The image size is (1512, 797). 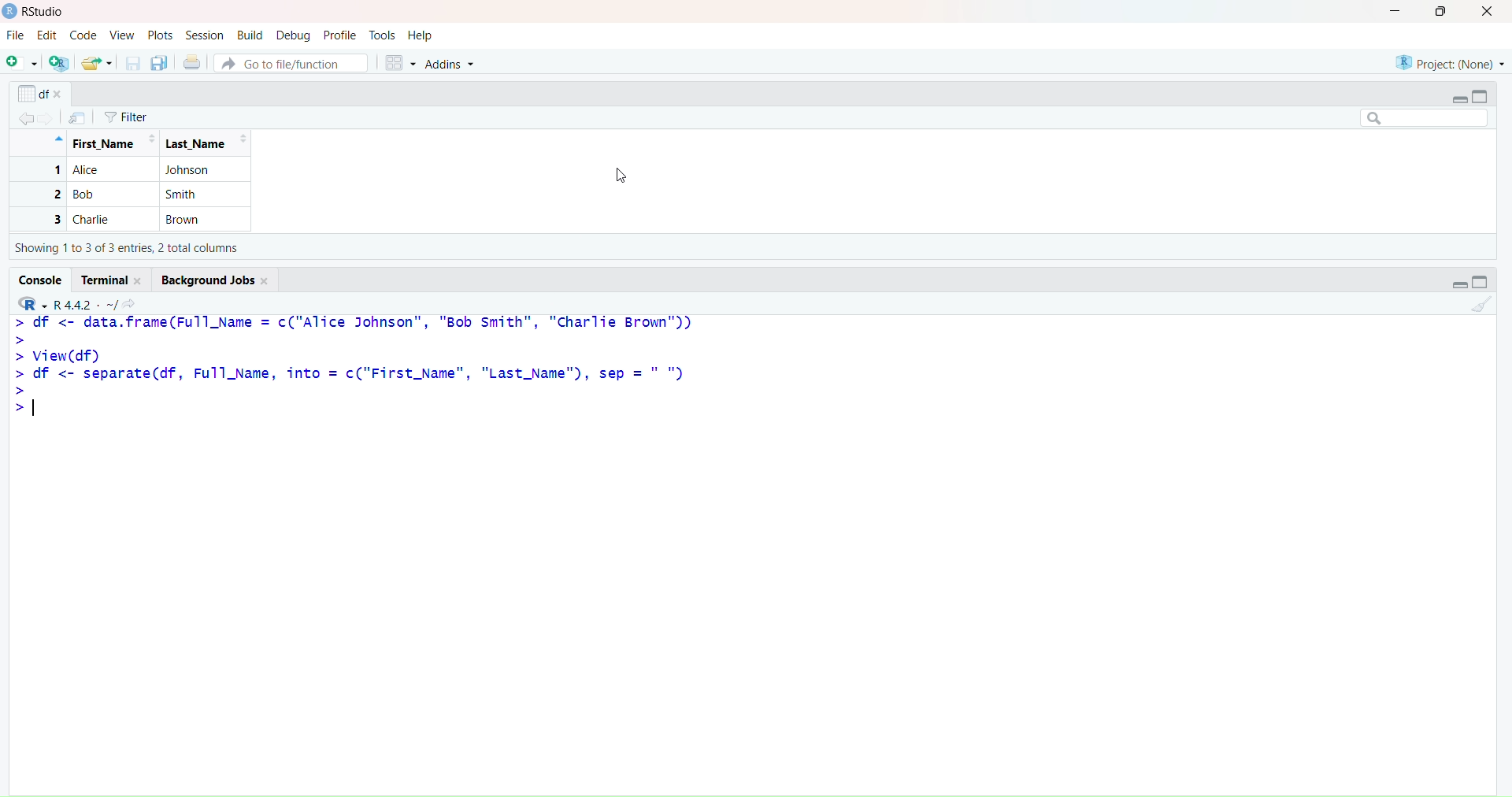 I want to click on Print the current file, so click(x=191, y=63).